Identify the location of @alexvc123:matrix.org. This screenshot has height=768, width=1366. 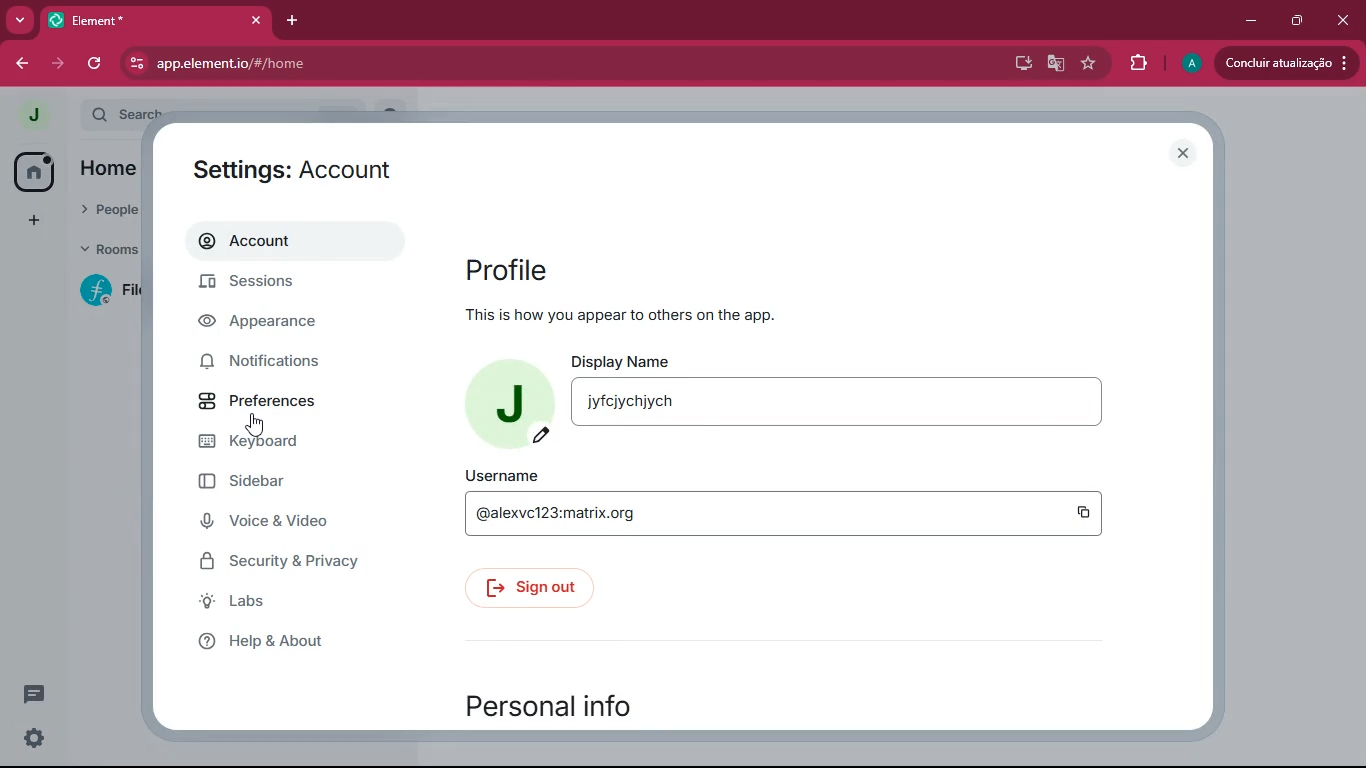
(556, 521).